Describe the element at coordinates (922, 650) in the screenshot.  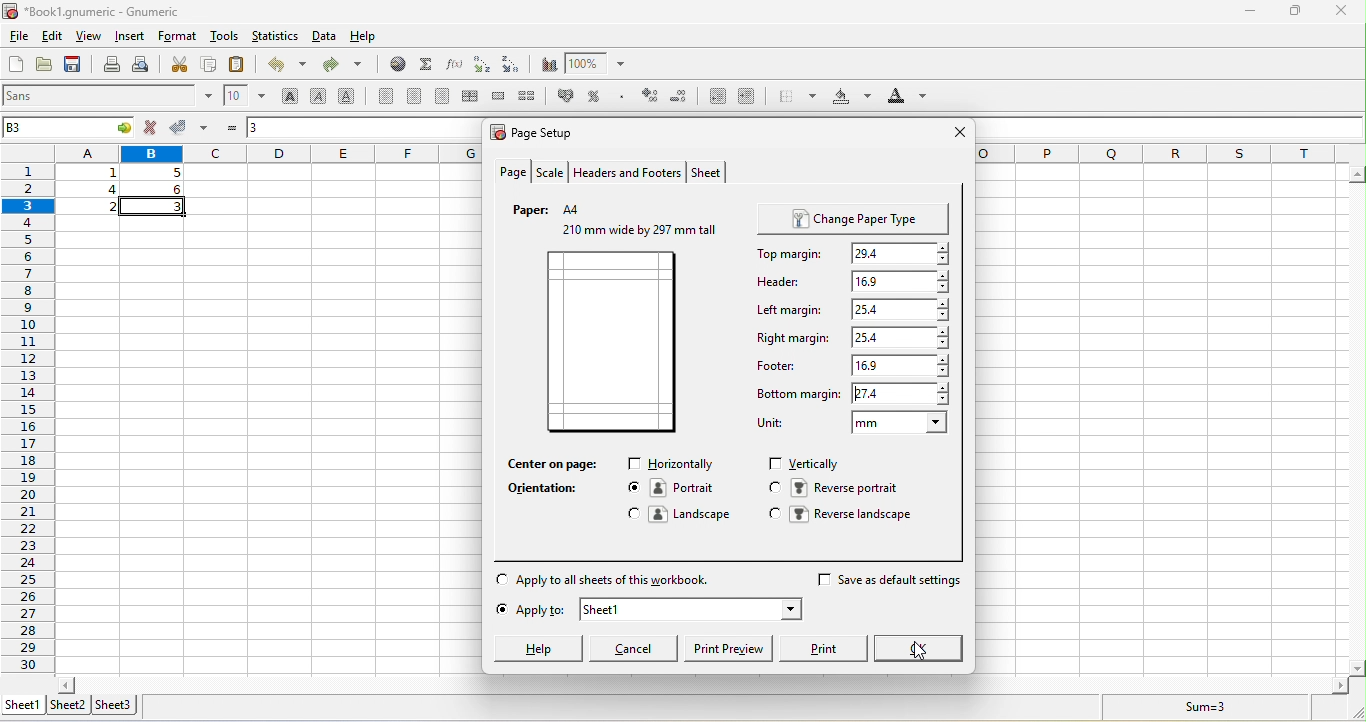
I see `ok` at that location.